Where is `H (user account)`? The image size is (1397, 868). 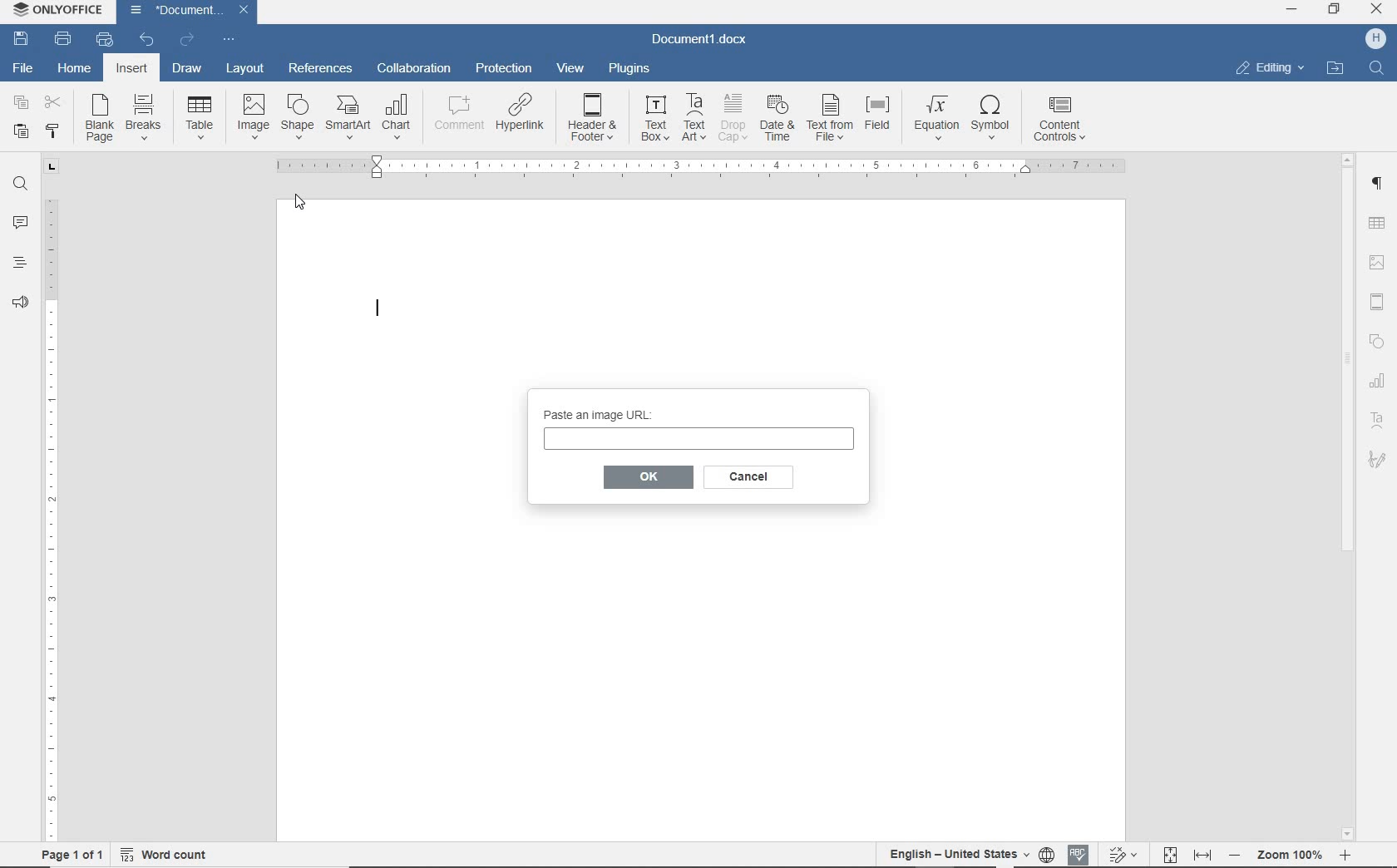 H (user account) is located at coordinates (1376, 38).